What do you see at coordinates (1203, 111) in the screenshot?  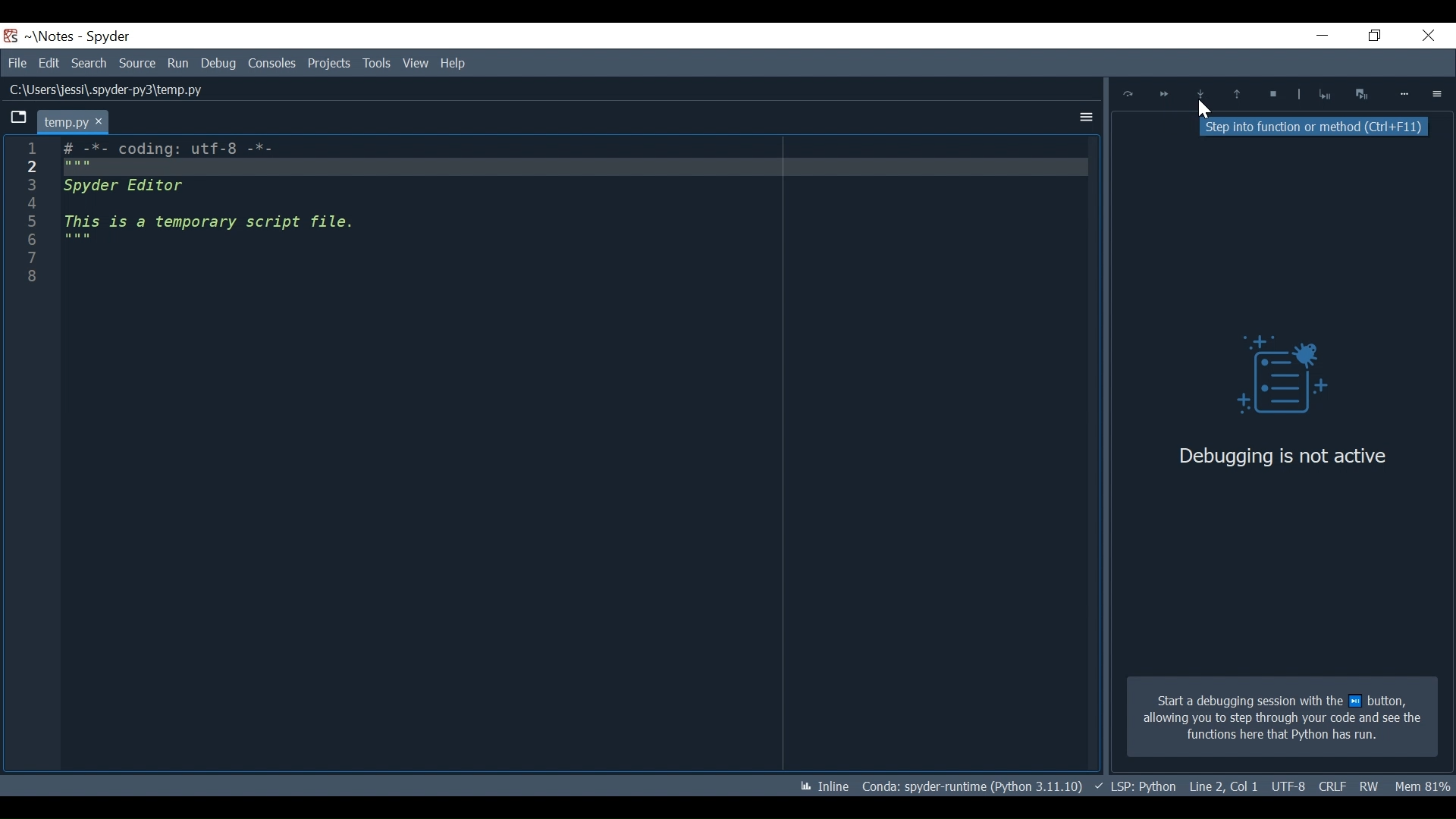 I see `Cursor ` at bounding box center [1203, 111].